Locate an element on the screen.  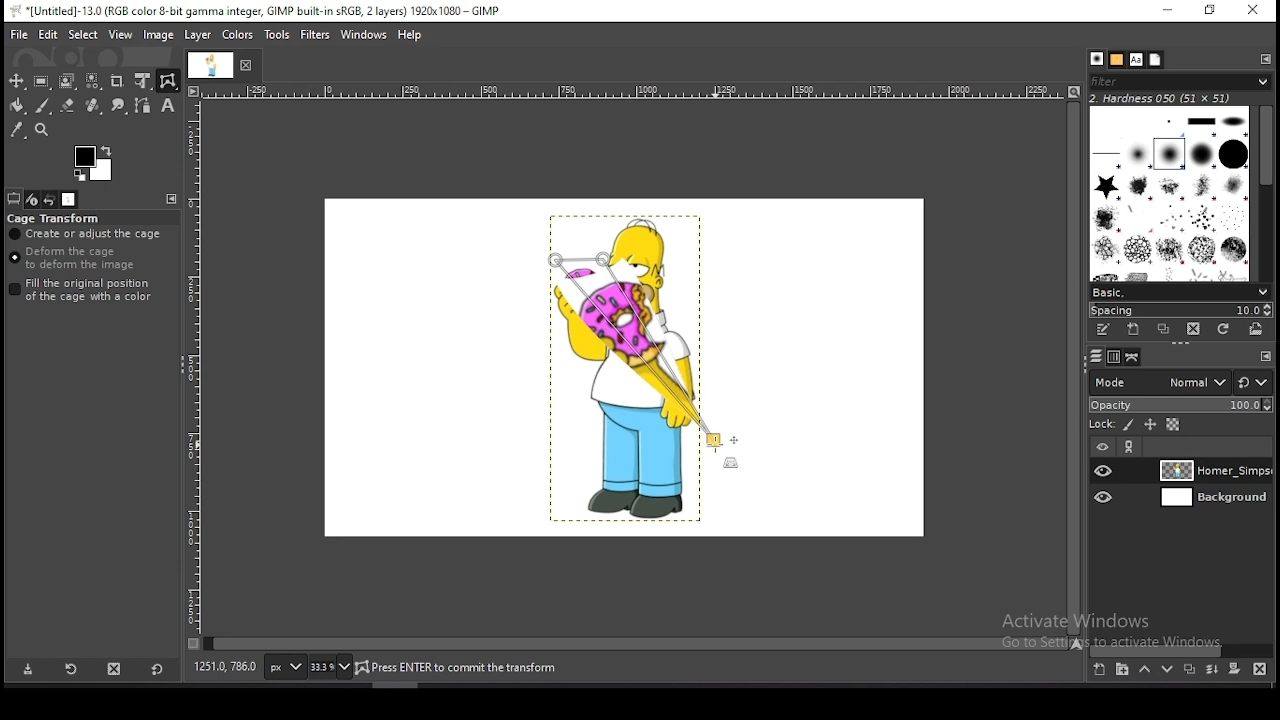
home_simpsons_2006.png (21.5 mb) is located at coordinates (462, 669).